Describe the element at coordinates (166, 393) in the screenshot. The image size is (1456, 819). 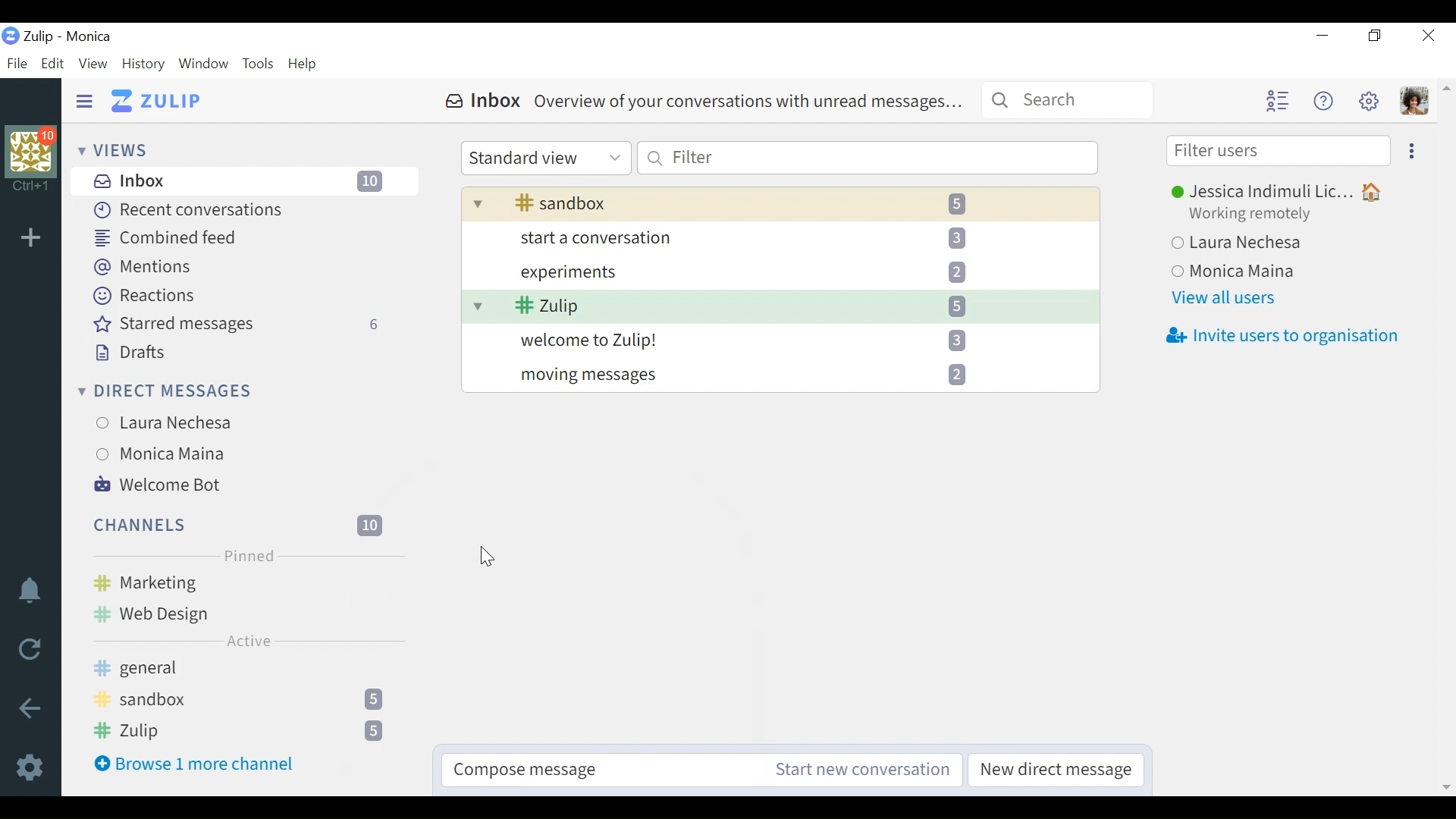
I see `Direct Messages` at that location.